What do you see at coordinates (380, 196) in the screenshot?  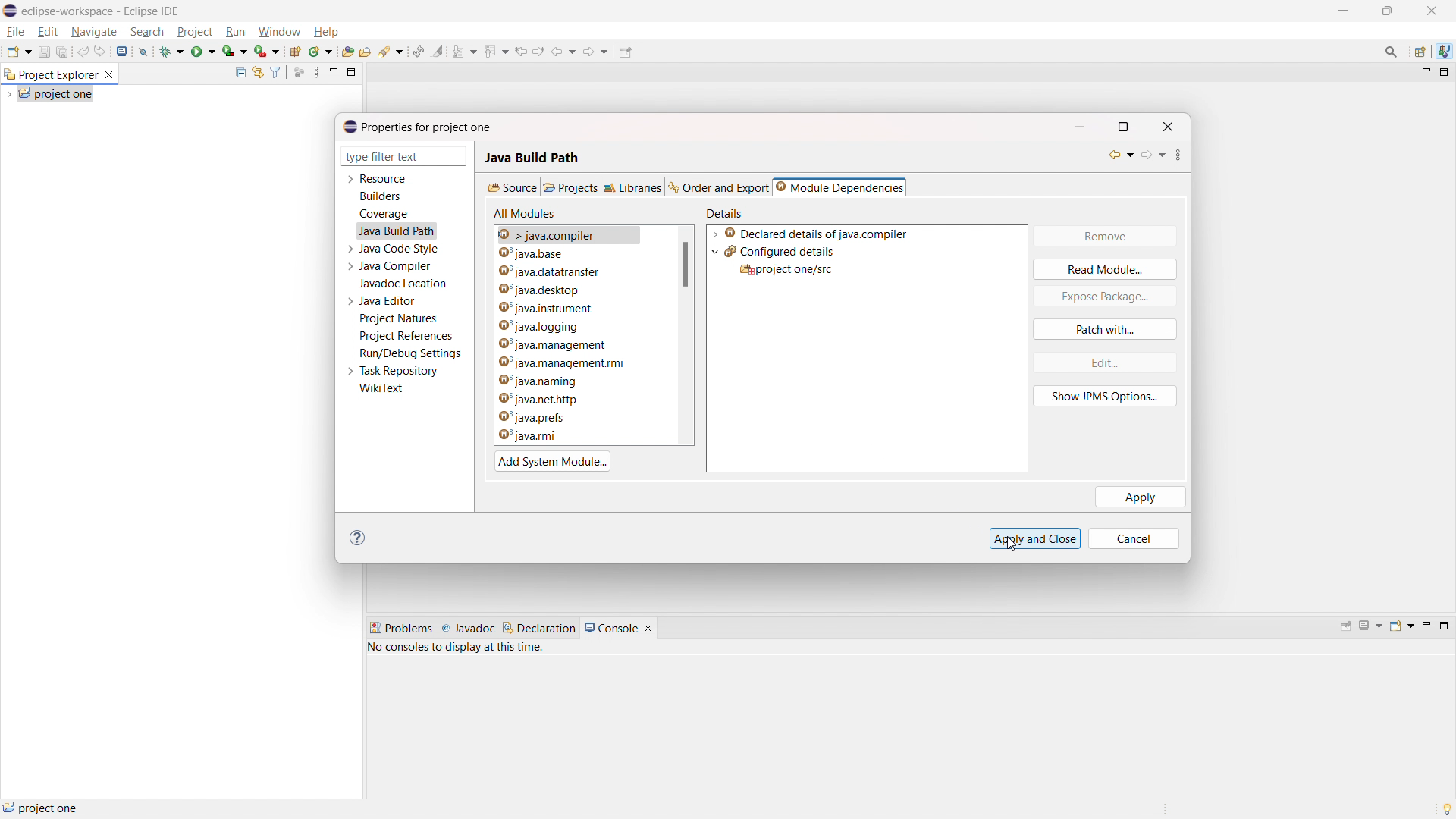 I see `builders` at bounding box center [380, 196].